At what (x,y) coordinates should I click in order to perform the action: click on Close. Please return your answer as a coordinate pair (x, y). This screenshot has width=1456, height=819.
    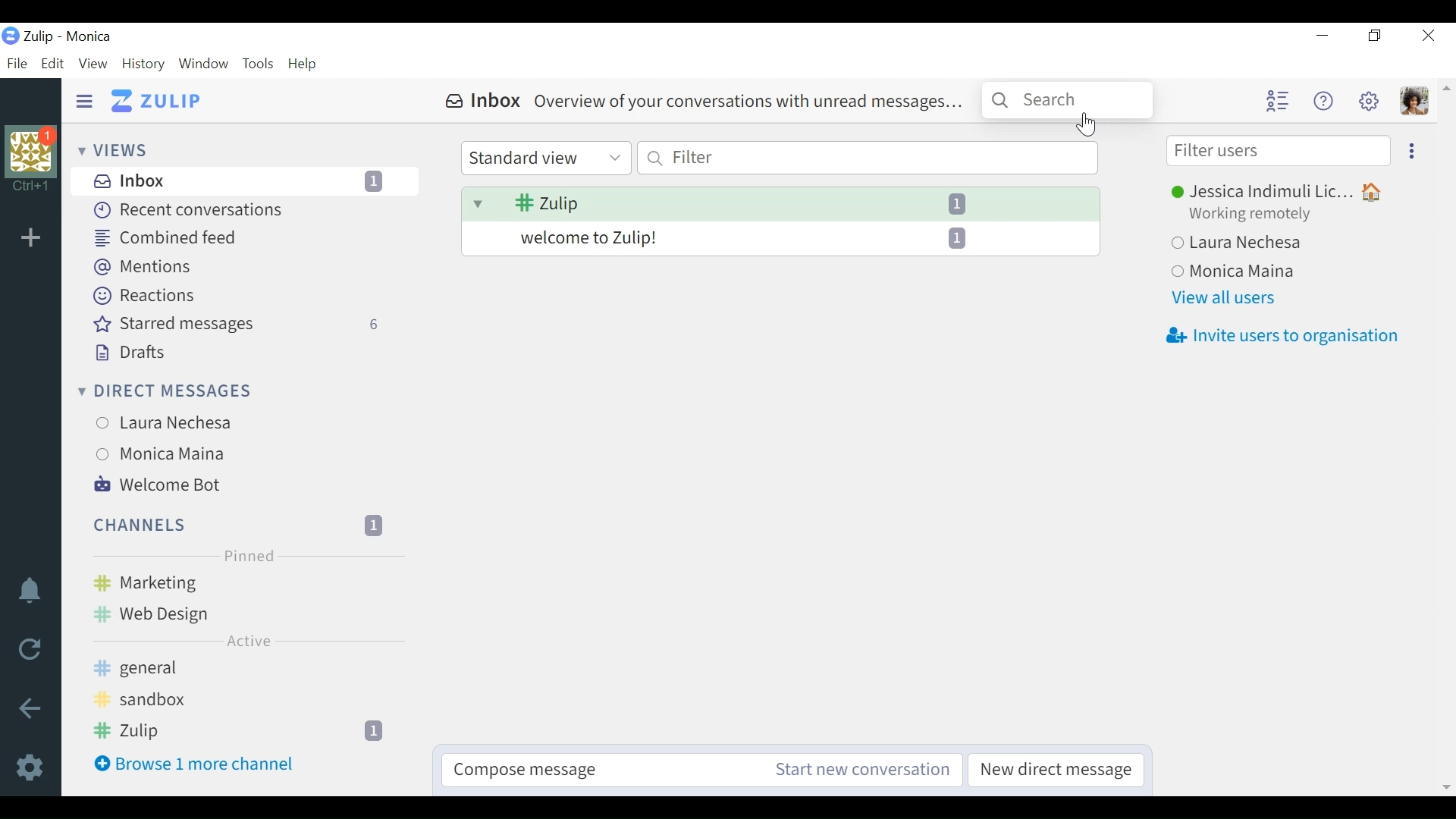
    Looking at the image, I should click on (1427, 35).